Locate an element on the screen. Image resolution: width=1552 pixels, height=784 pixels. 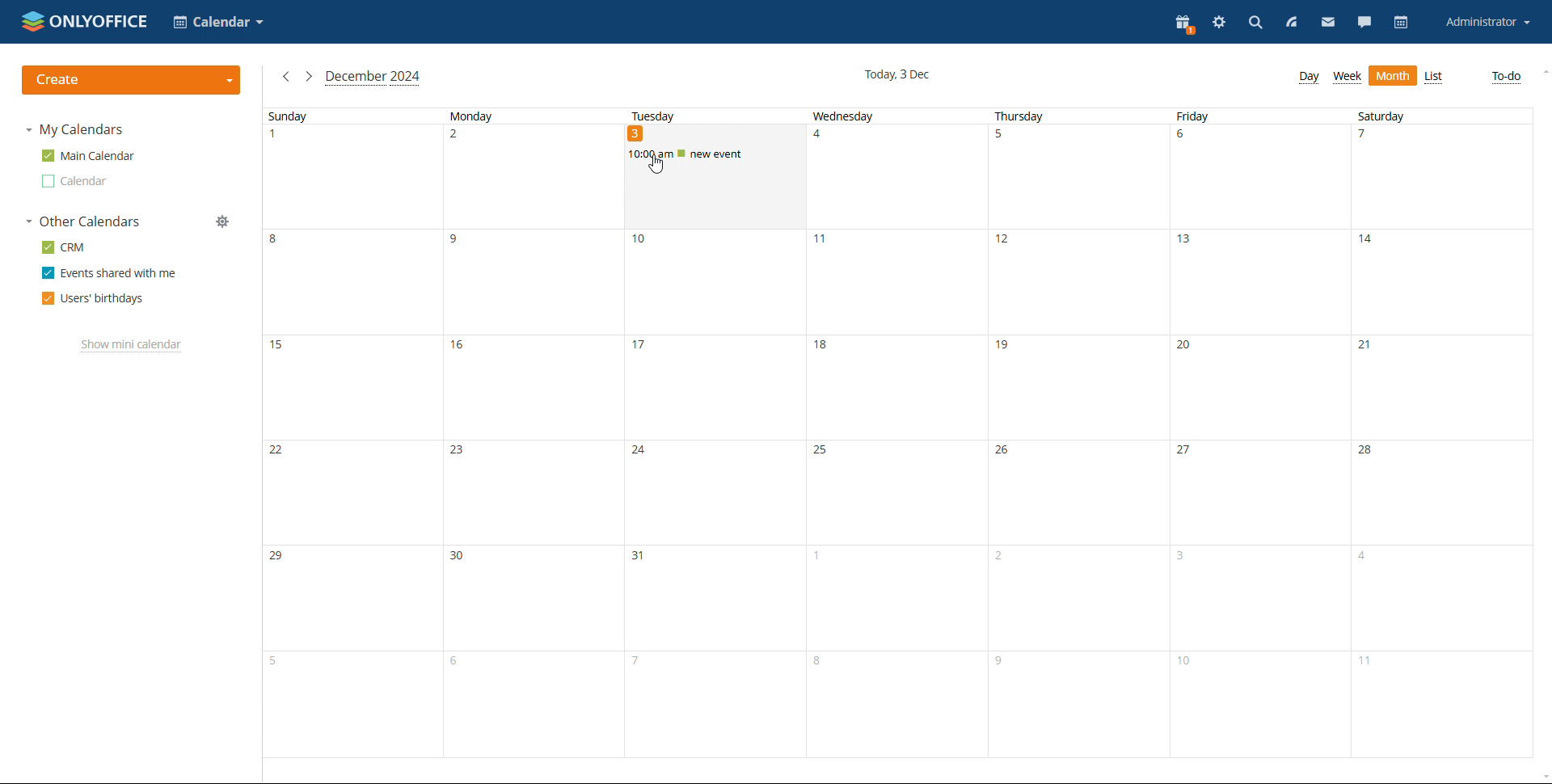
Thursday is located at coordinates (1077, 116).